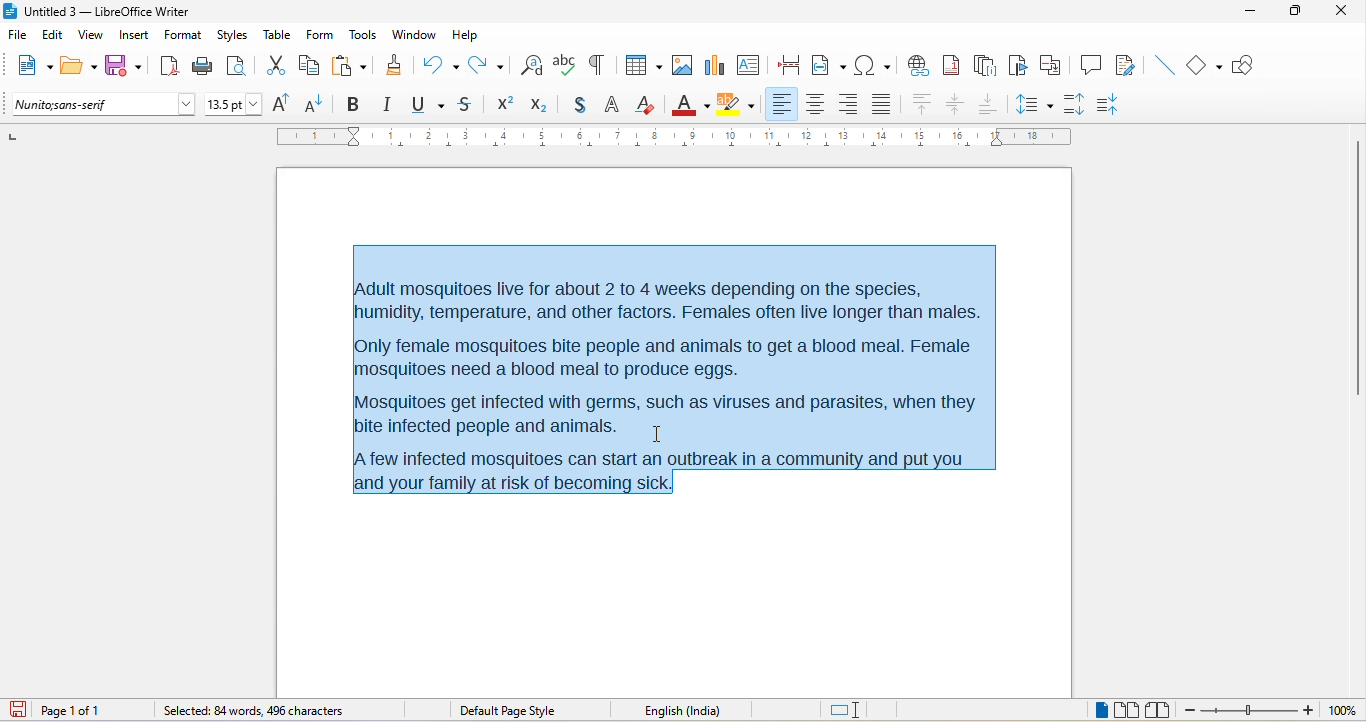 Image resolution: width=1366 pixels, height=722 pixels. What do you see at coordinates (125, 66) in the screenshot?
I see `save` at bounding box center [125, 66].